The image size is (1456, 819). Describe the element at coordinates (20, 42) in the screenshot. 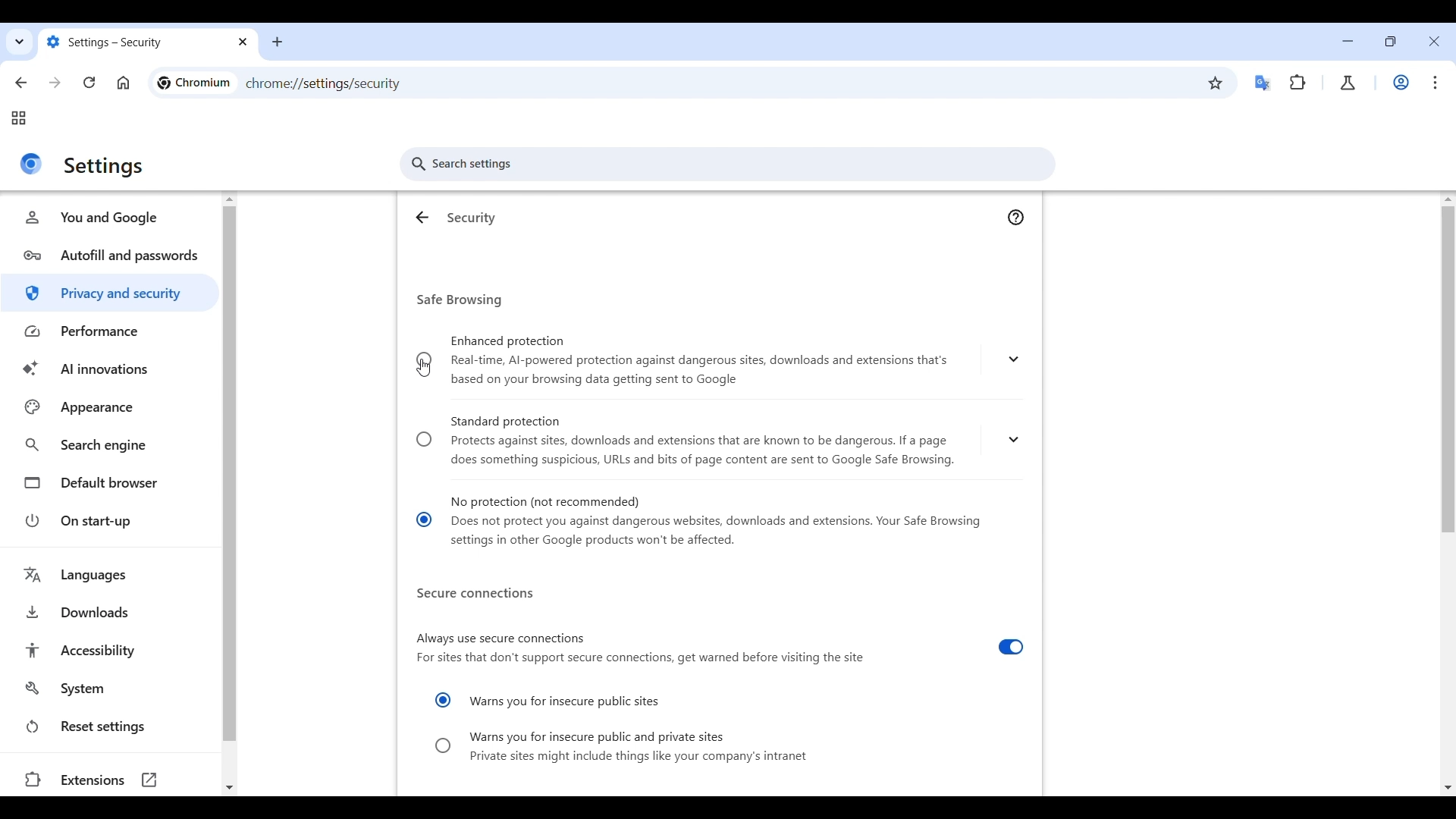

I see `Search tabs` at that location.